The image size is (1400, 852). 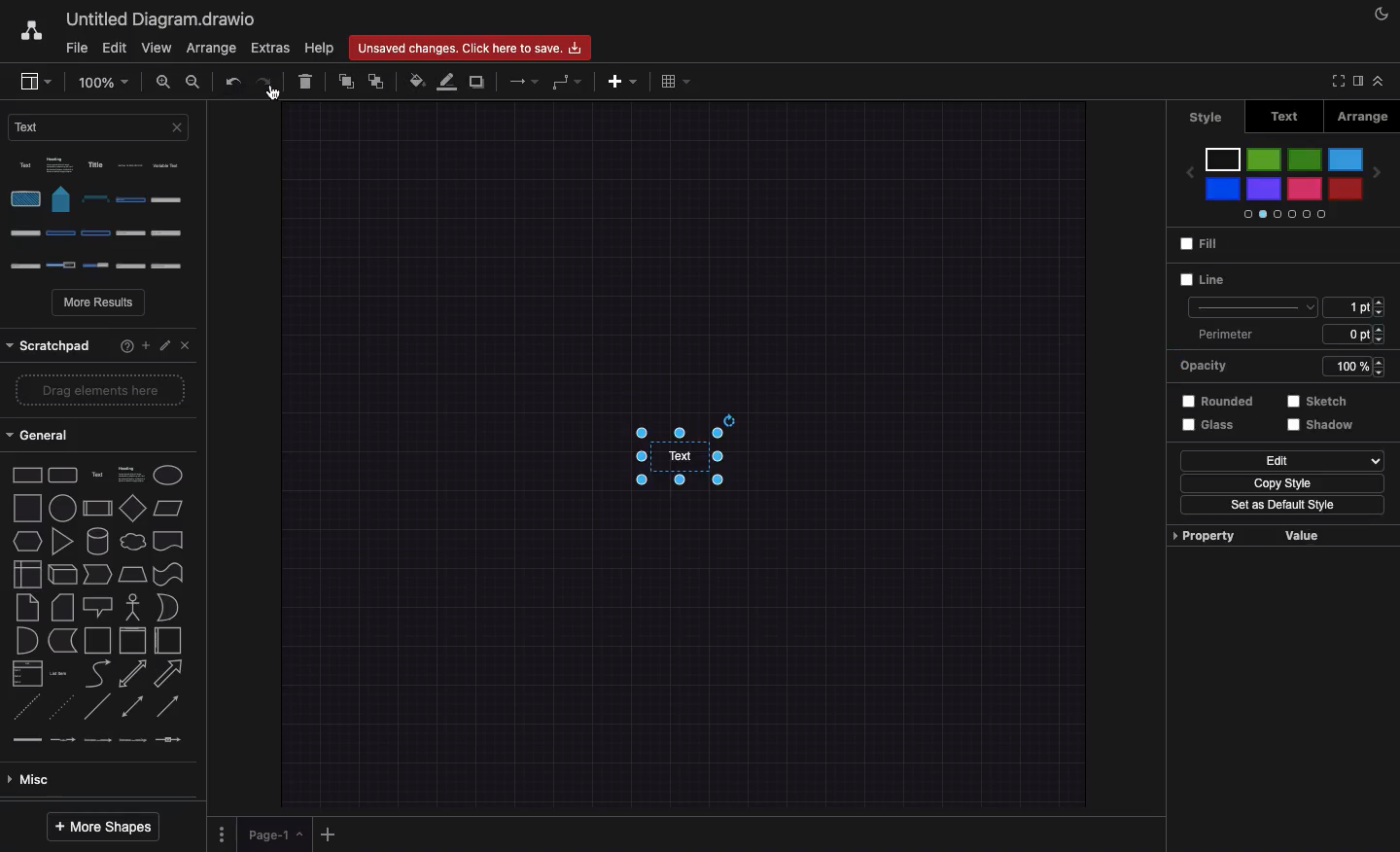 What do you see at coordinates (1356, 82) in the screenshot?
I see `Sidebar` at bounding box center [1356, 82].